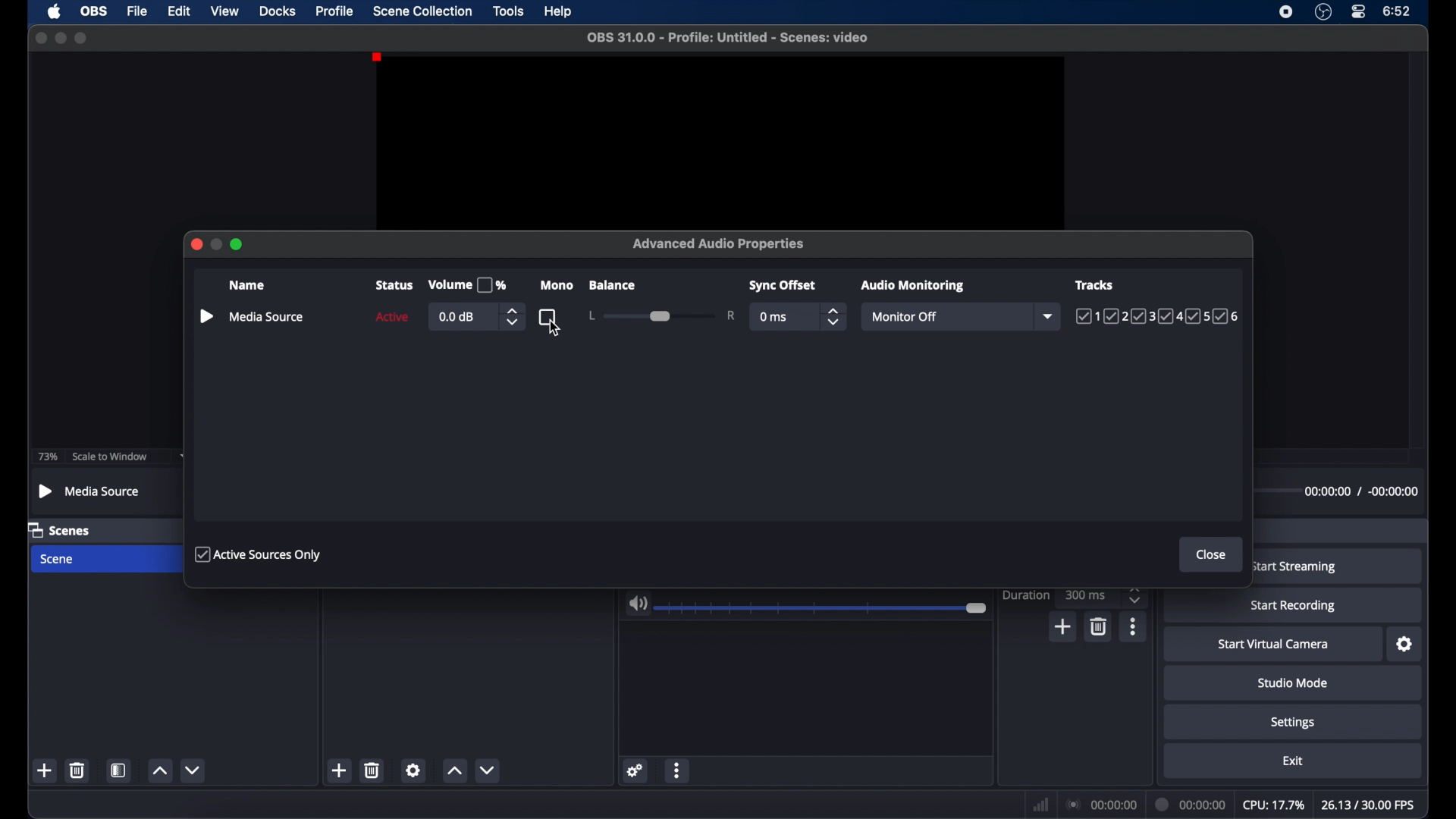 This screenshot has width=1456, height=819. What do you see at coordinates (488, 770) in the screenshot?
I see `decrement` at bounding box center [488, 770].